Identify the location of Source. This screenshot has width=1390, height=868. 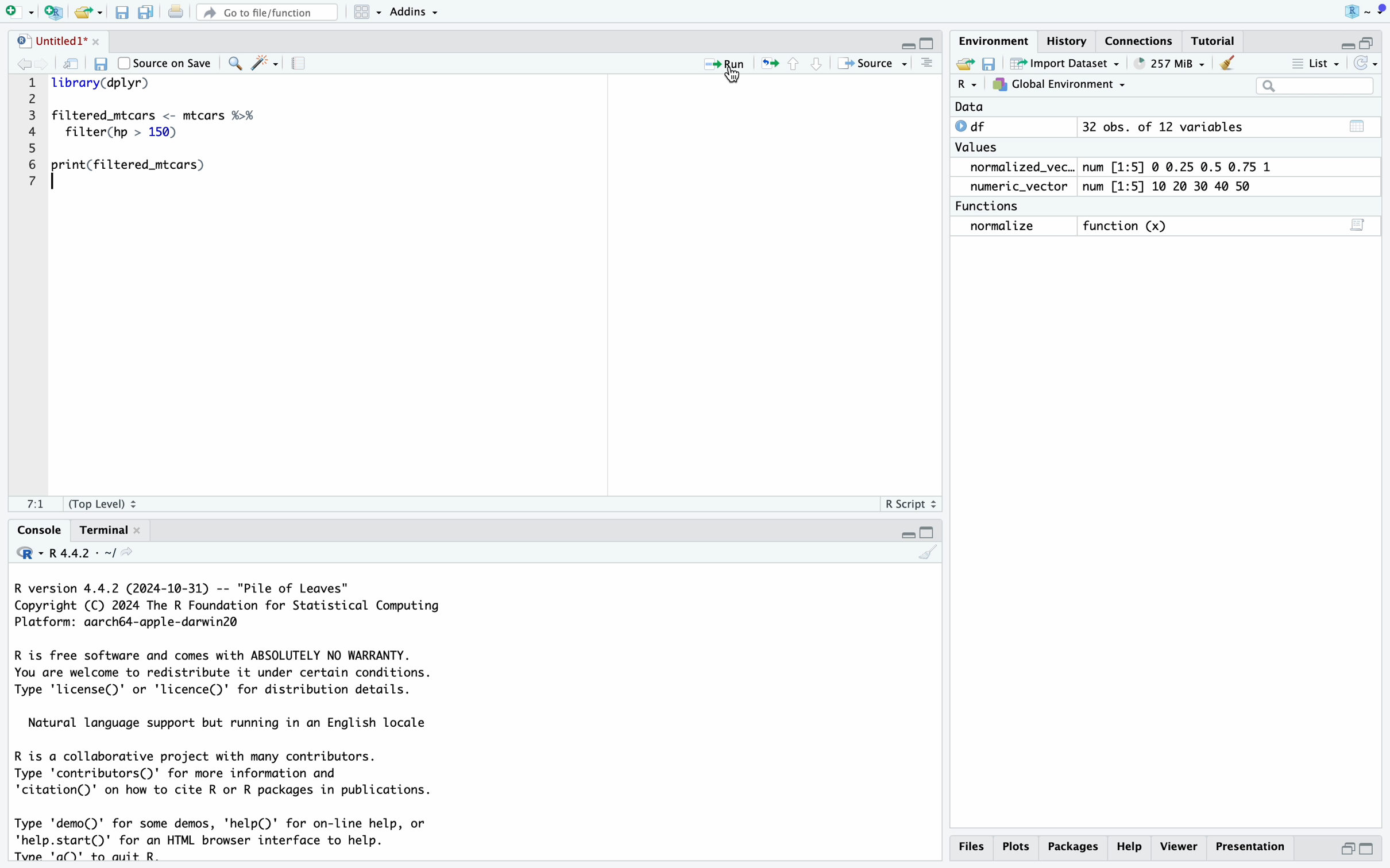
(868, 65).